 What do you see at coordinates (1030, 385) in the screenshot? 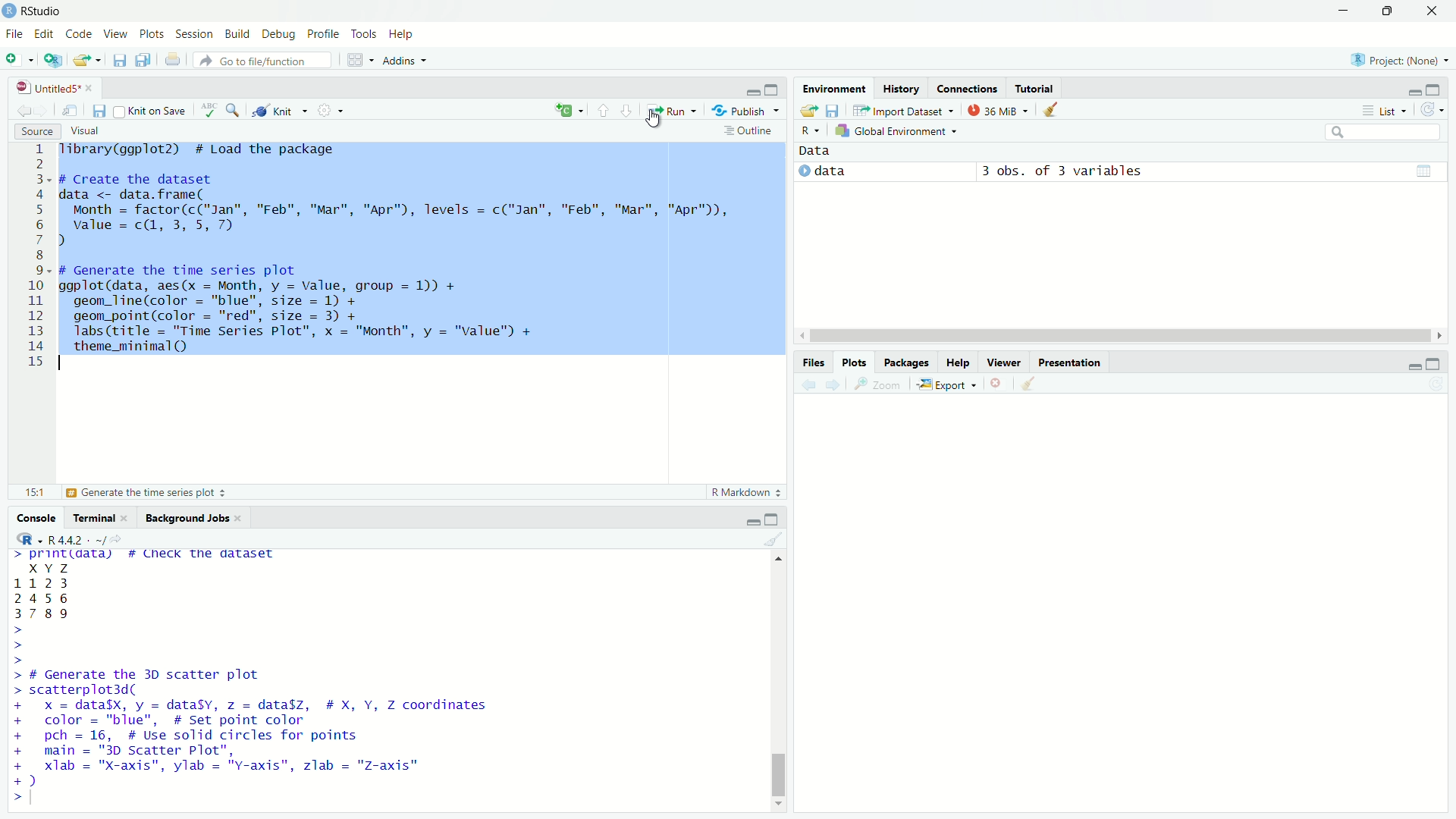
I see `clear all plots` at bounding box center [1030, 385].